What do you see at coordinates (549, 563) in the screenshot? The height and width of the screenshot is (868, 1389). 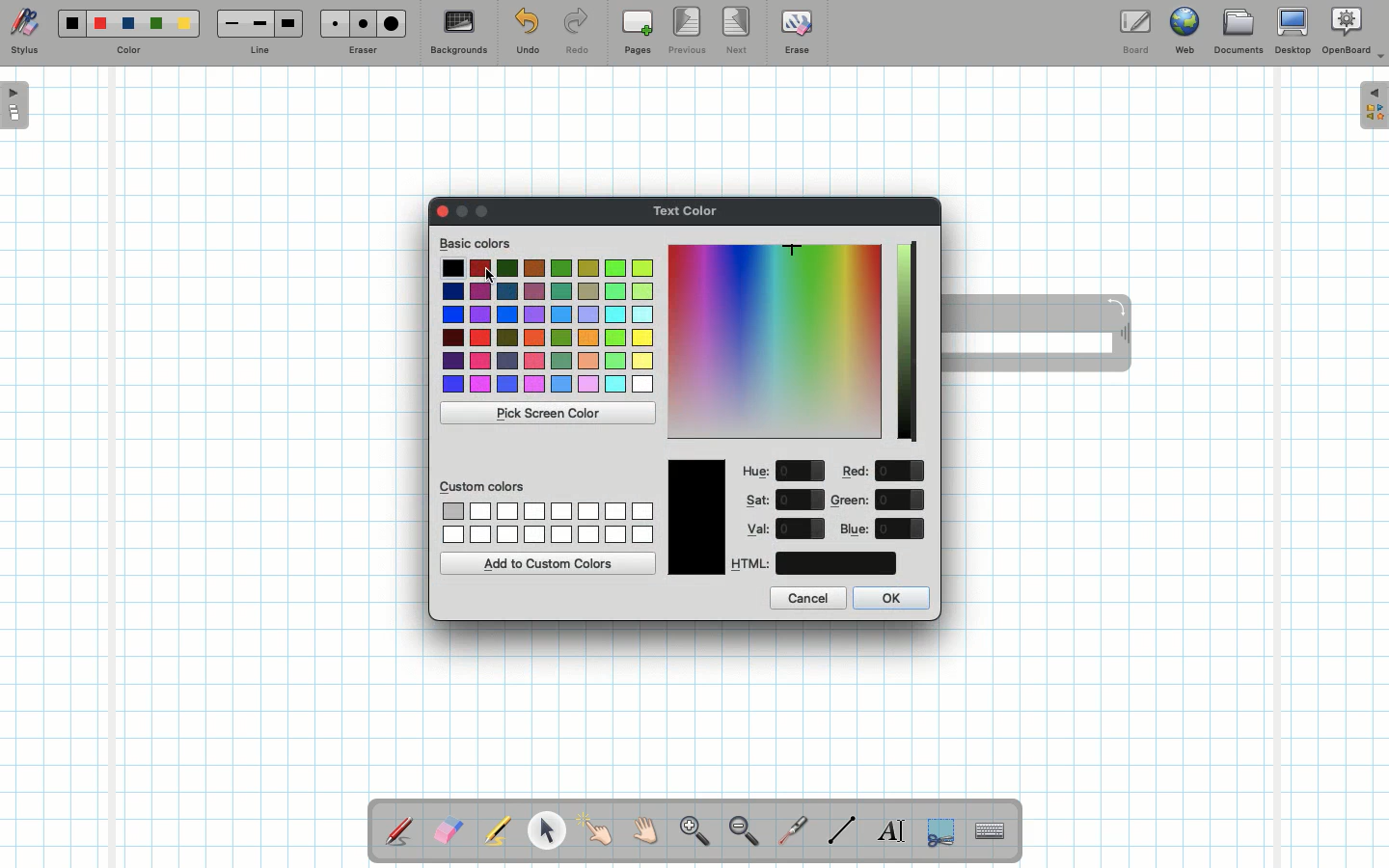 I see `Add to custom colors` at bounding box center [549, 563].